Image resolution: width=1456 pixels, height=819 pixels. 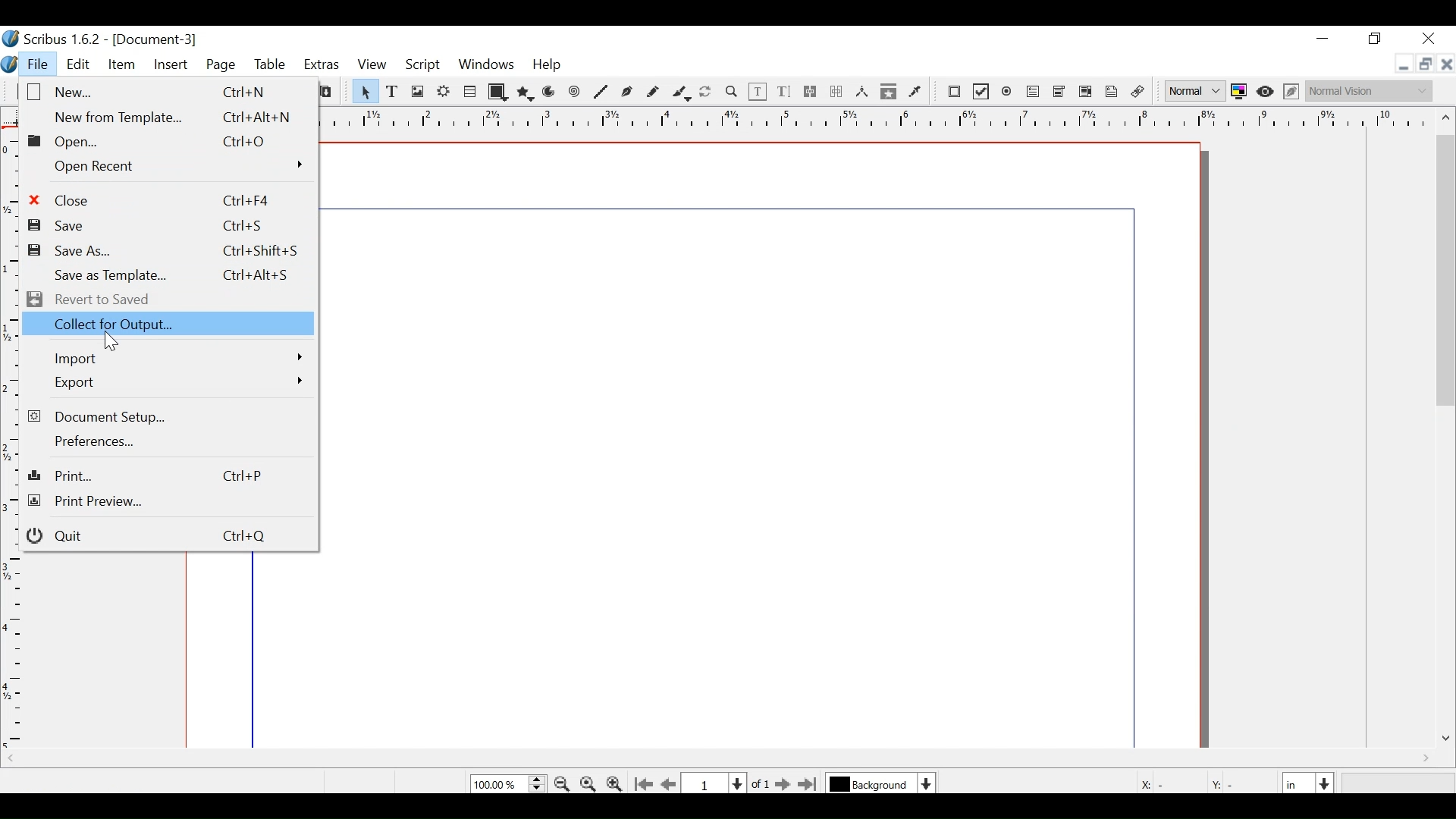 I want to click on Edit, so click(x=79, y=65).